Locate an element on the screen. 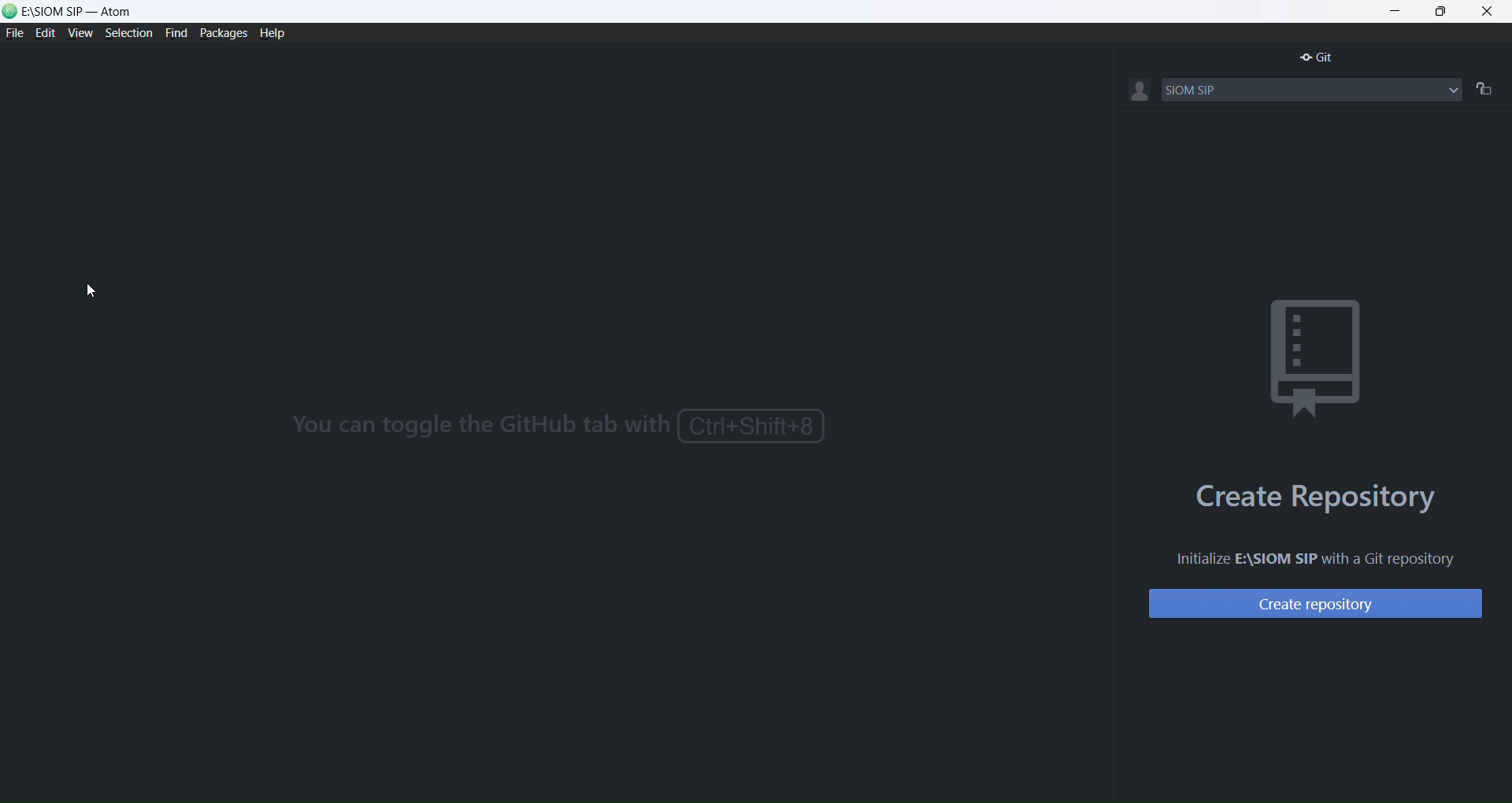  Create Repository Initialize E:\SIOM SIP with a Git repository is located at coordinates (1309, 520).